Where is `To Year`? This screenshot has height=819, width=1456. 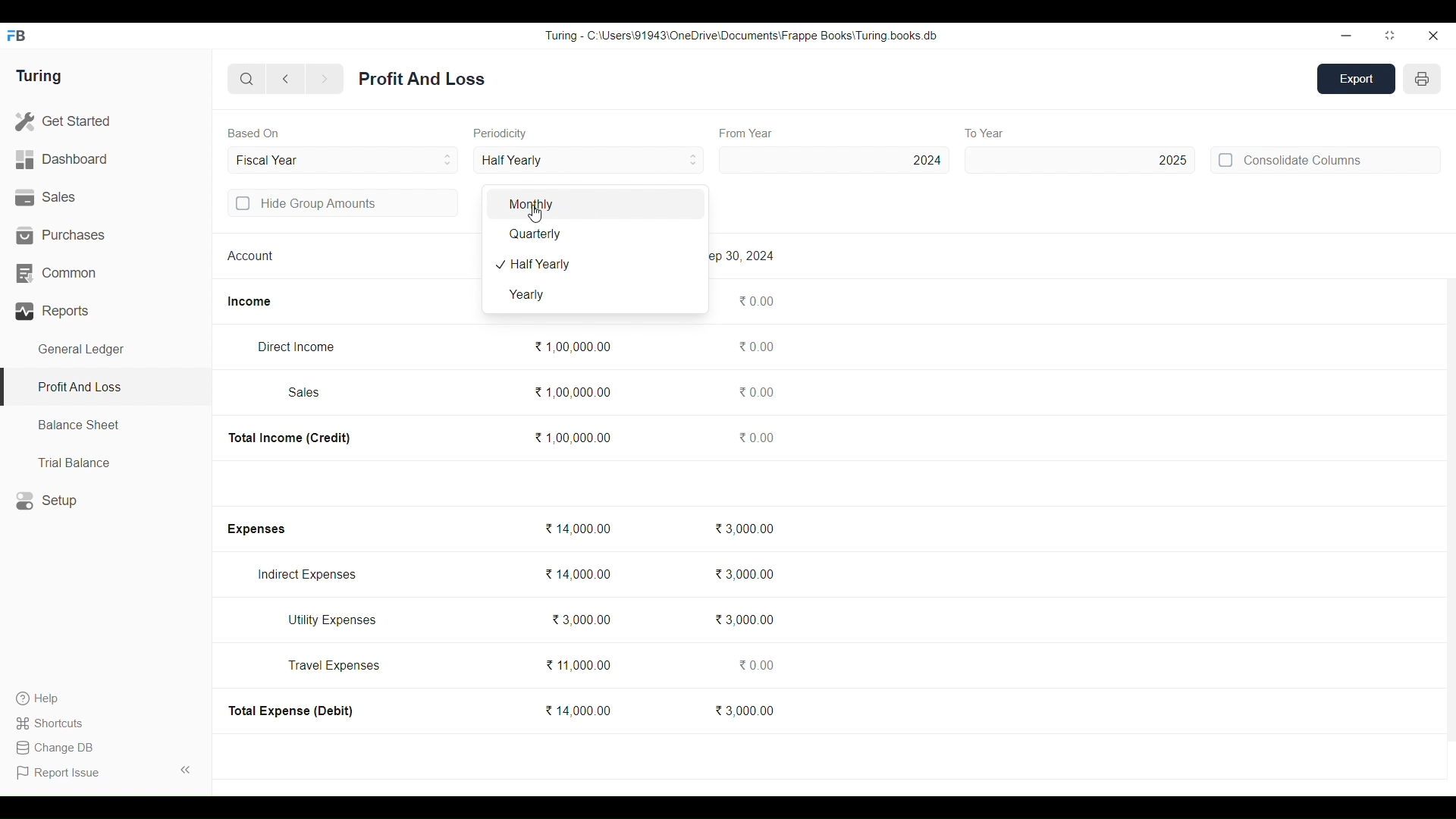
To Year is located at coordinates (986, 133).